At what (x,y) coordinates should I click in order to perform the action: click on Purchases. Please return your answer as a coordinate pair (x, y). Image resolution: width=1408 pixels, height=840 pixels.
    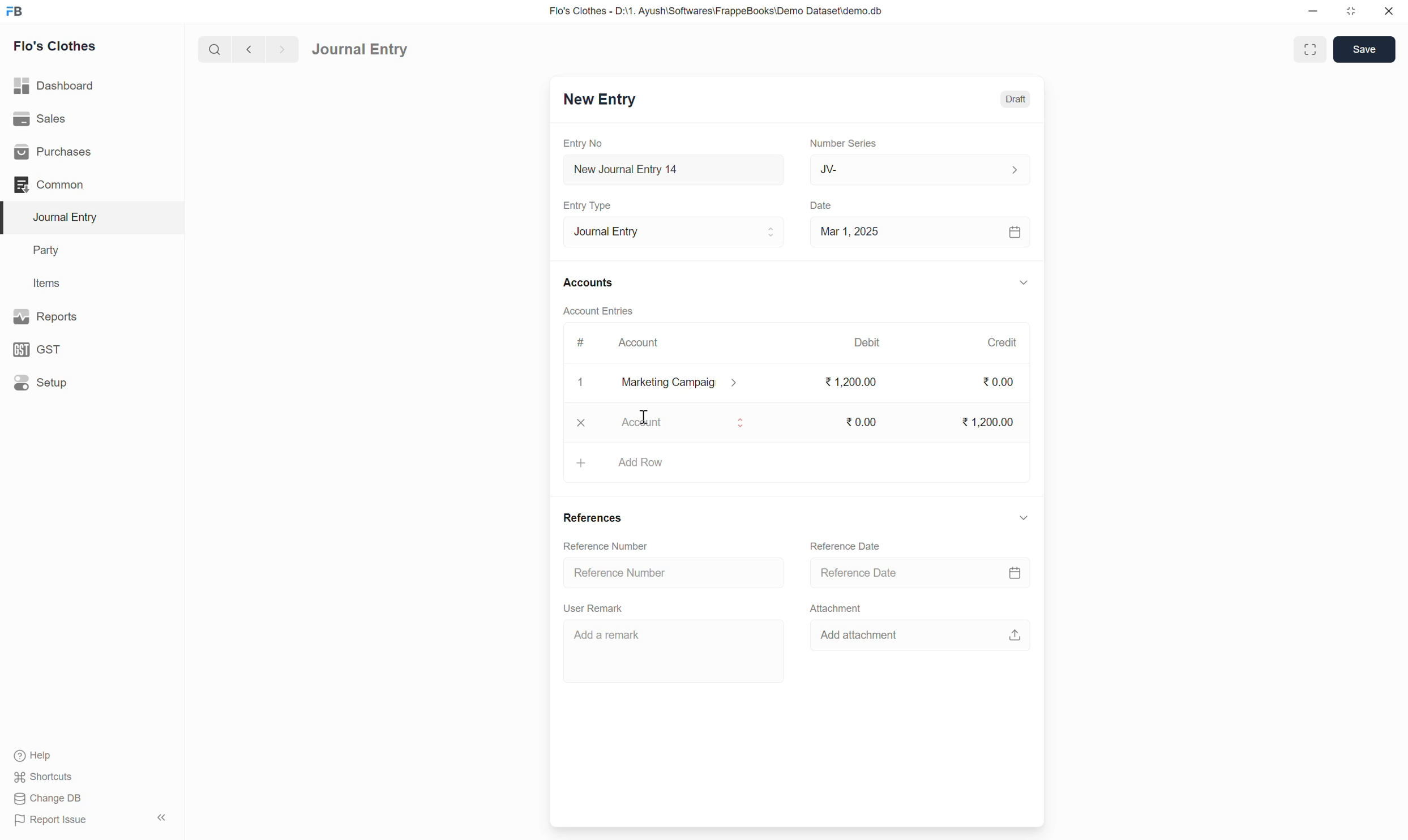
    Looking at the image, I should click on (56, 152).